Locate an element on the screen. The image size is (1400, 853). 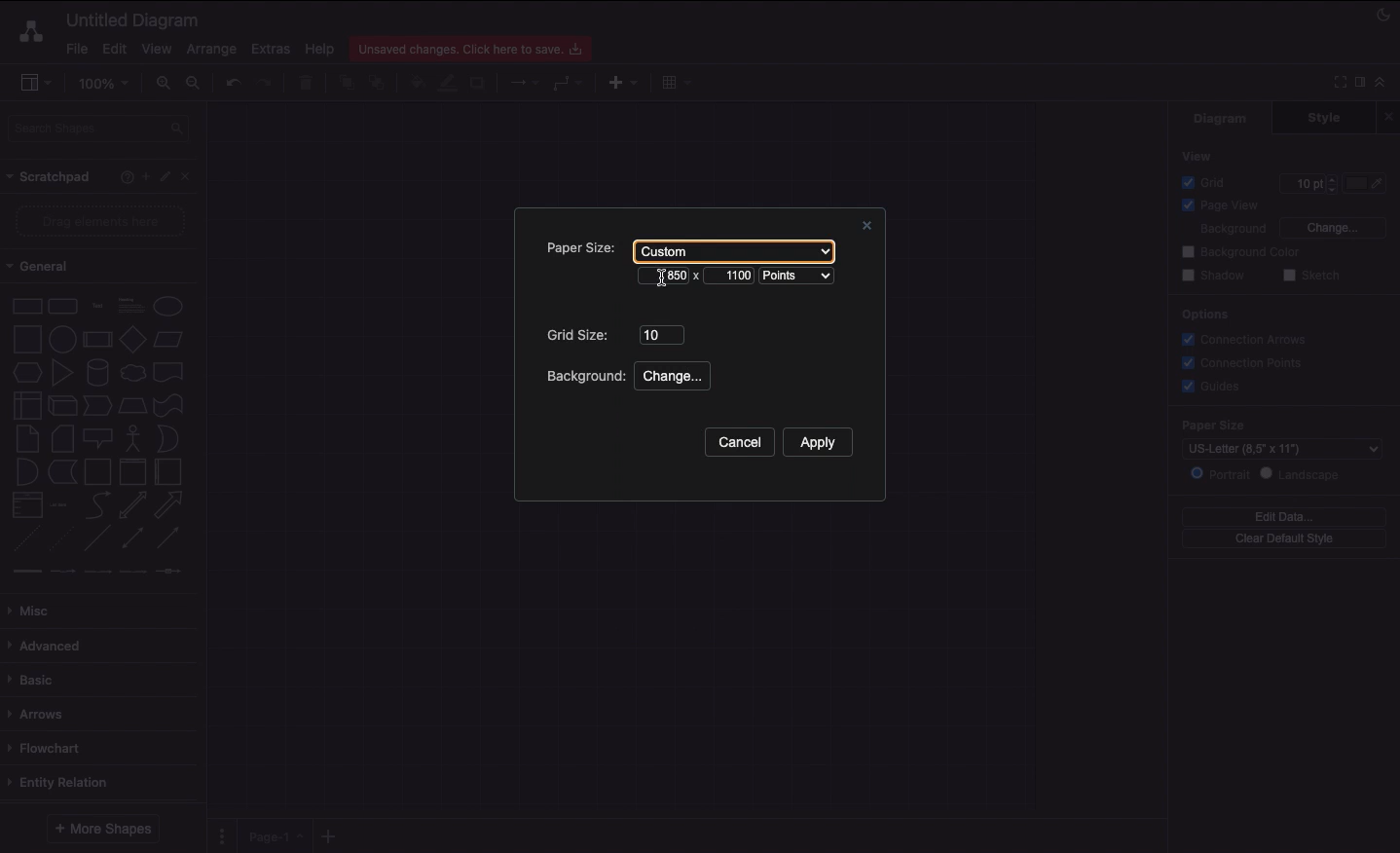
Guides is located at coordinates (1214, 388).